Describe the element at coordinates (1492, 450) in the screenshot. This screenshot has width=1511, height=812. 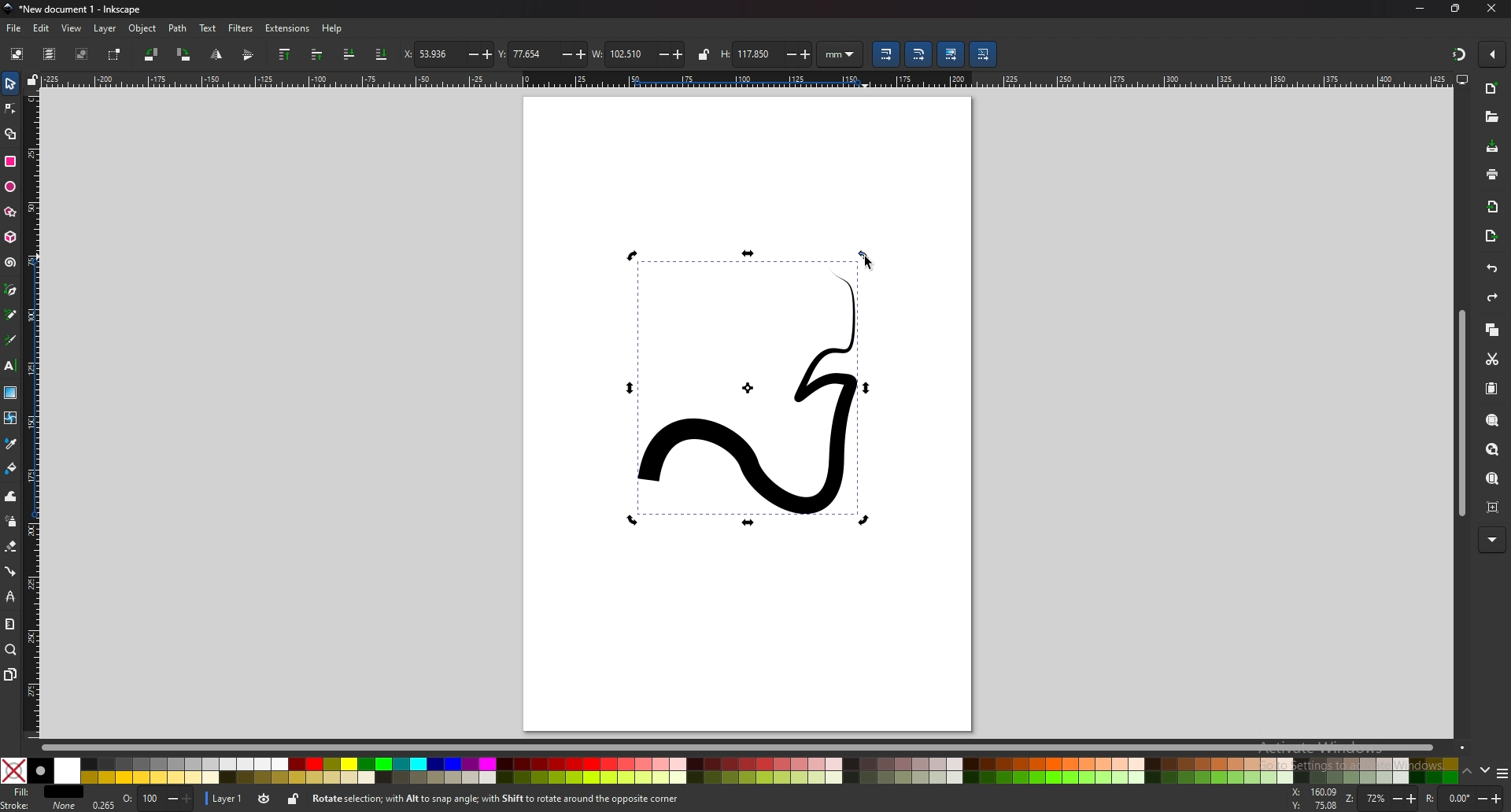
I see `zoom drawing` at that location.